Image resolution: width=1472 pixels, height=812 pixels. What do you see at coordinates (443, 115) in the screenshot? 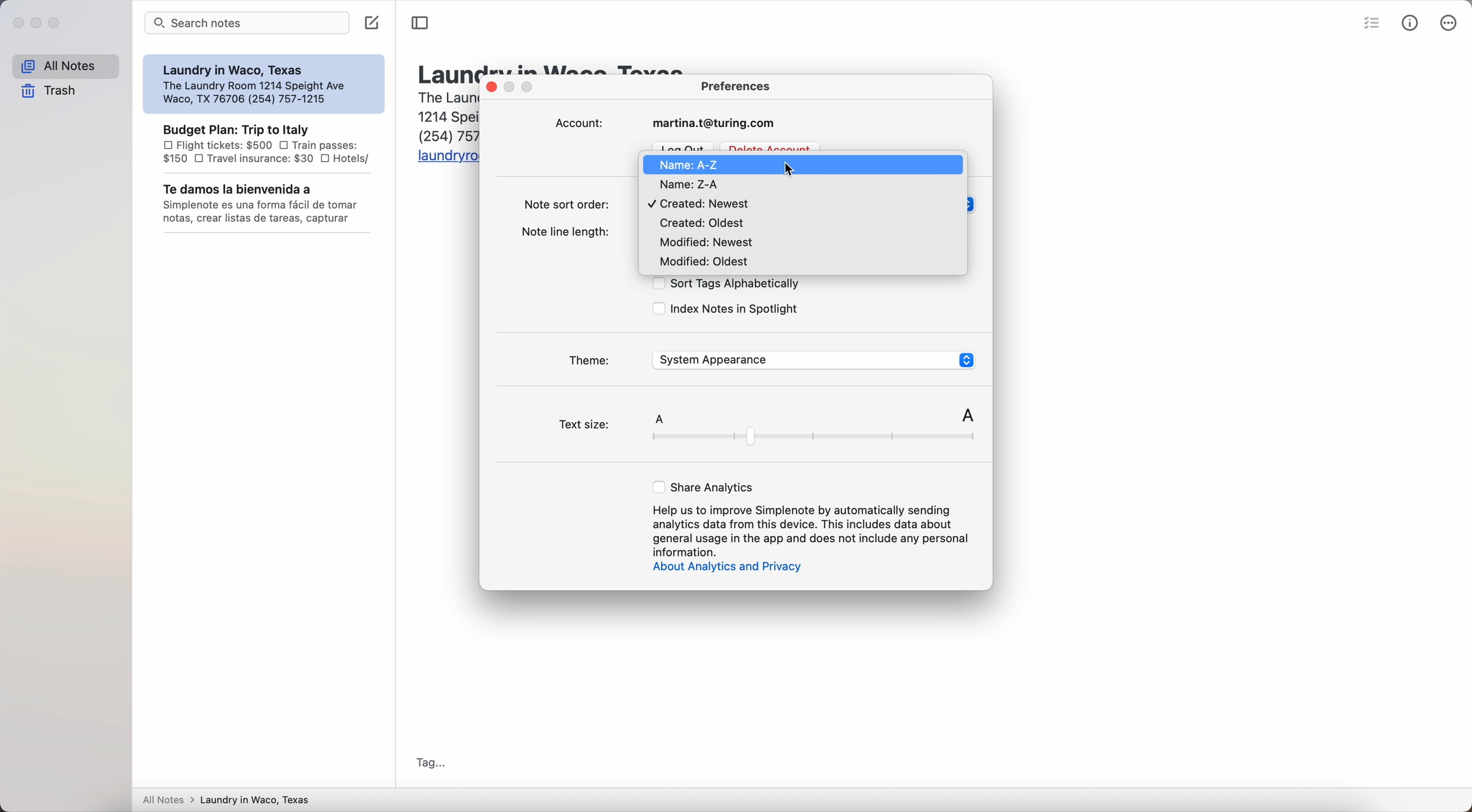
I see `body text: The Laundry Room 1214 Speight Ave Waco, TX 76706 (254) 757-1215` at bounding box center [443, 115].